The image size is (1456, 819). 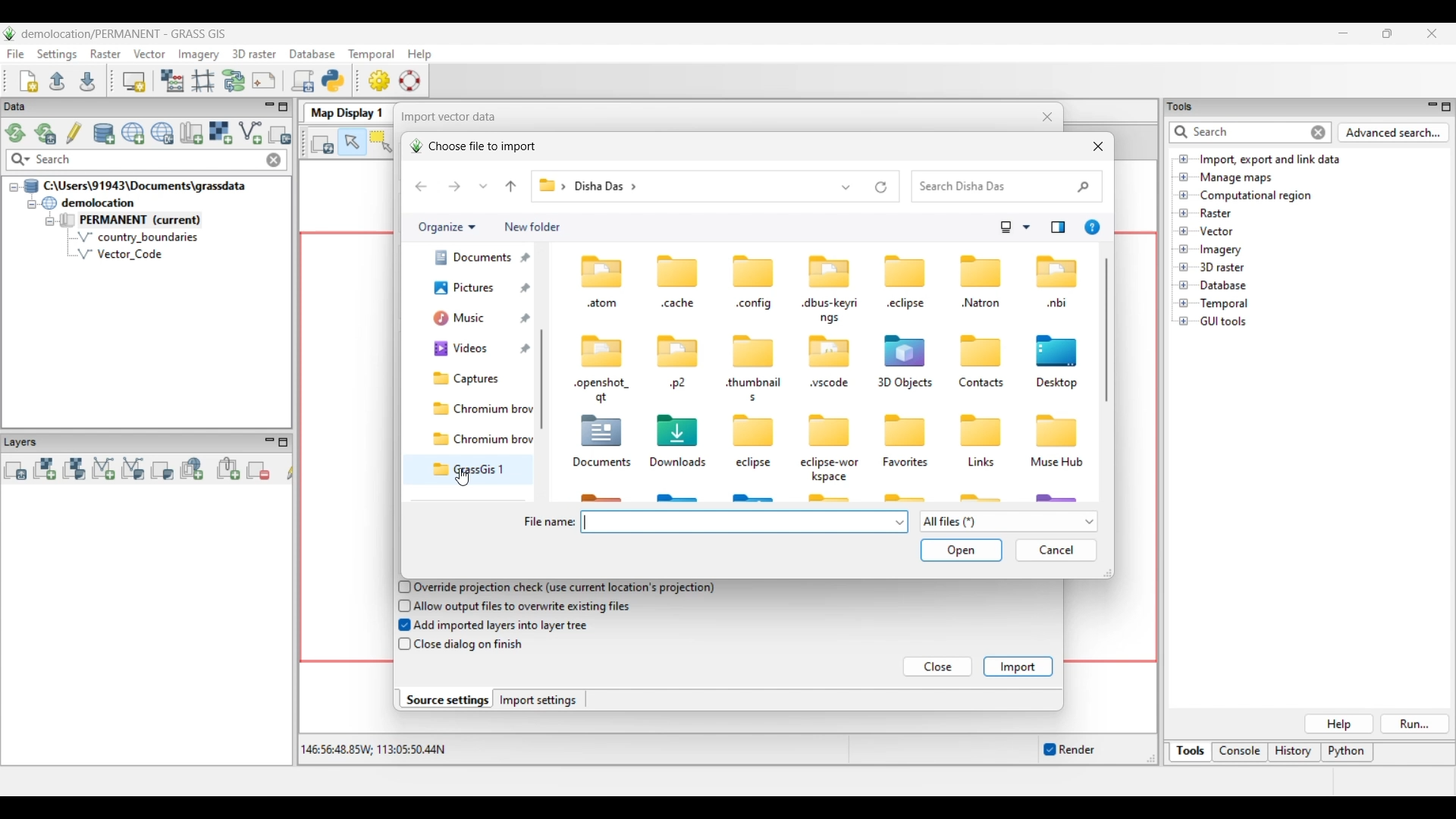 What do you see at coordinates (981, 465) in the screenshot?
I see `Links` at bounding box center [981, 465].